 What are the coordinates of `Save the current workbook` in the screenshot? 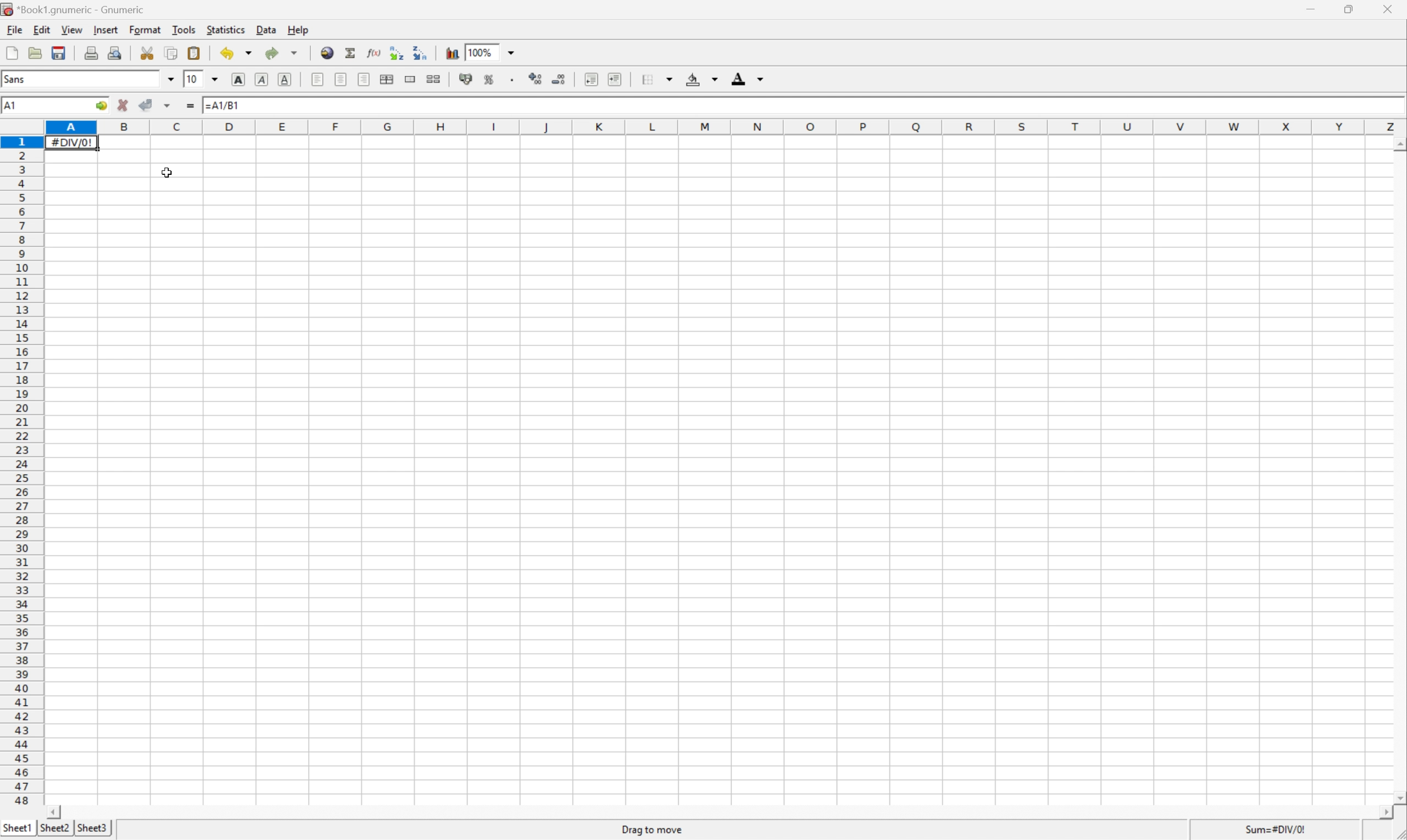 It's located at (60, 53).